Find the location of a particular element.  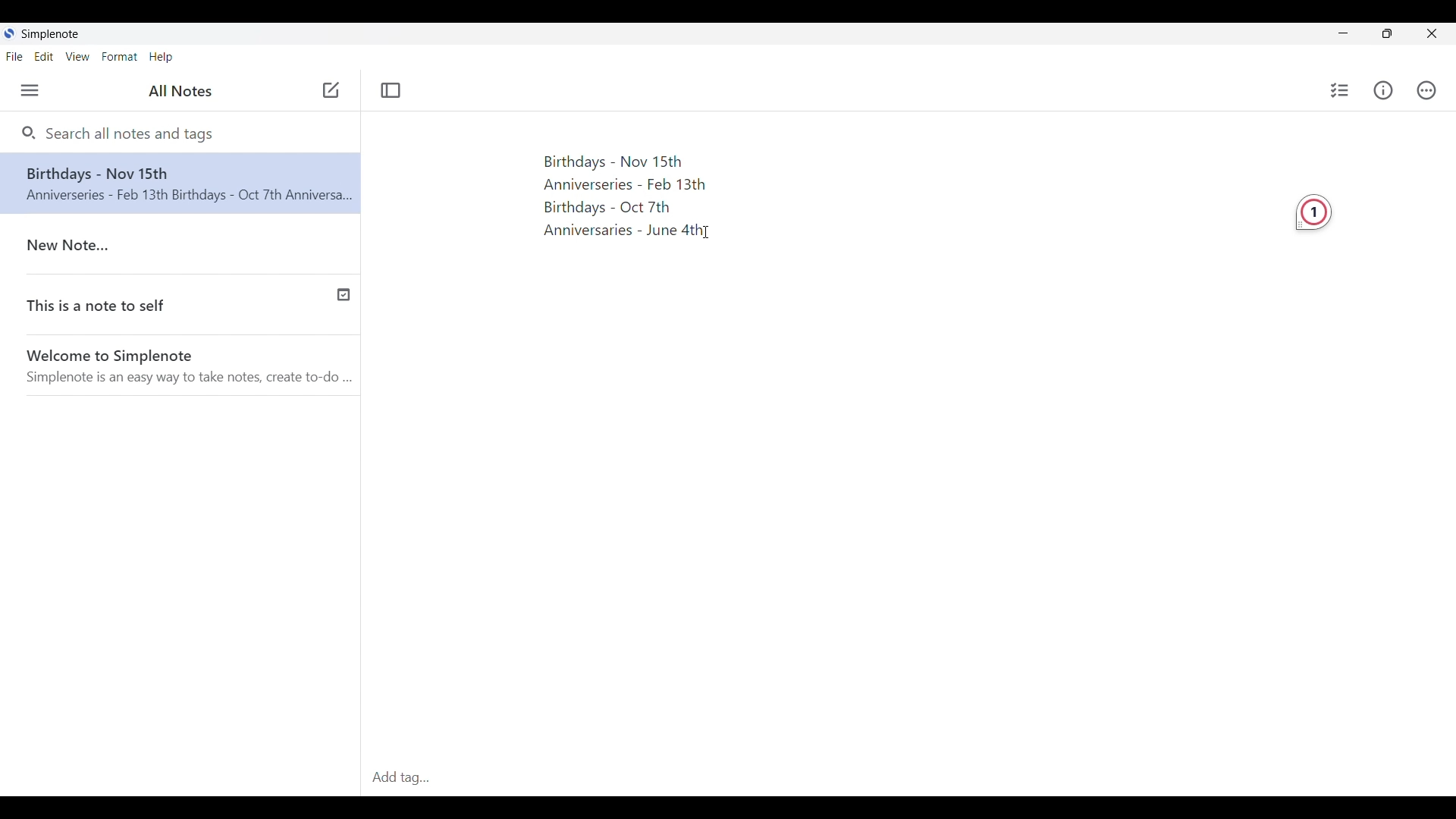

Search all notes and tags is located at coordinates (134, 133).